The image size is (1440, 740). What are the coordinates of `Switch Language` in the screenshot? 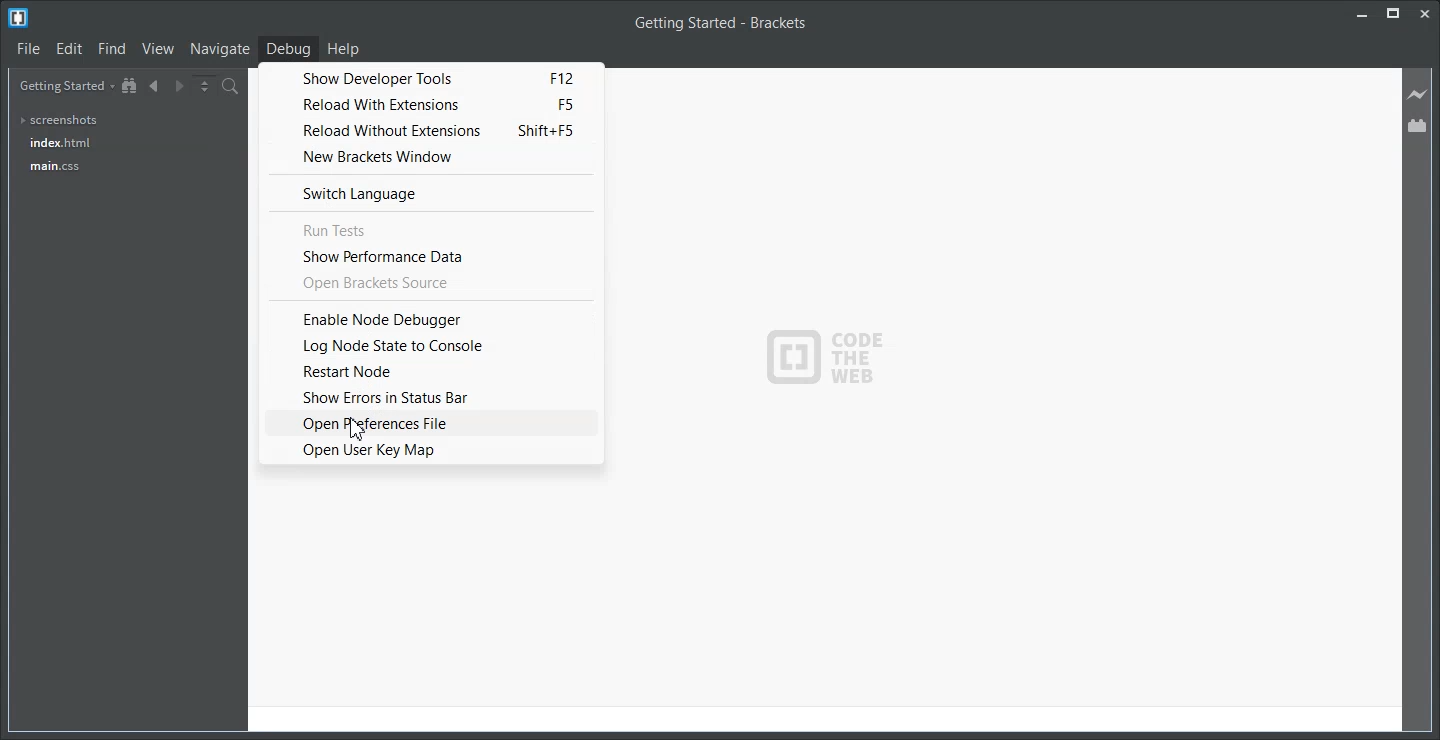 It's located at (429, 193).